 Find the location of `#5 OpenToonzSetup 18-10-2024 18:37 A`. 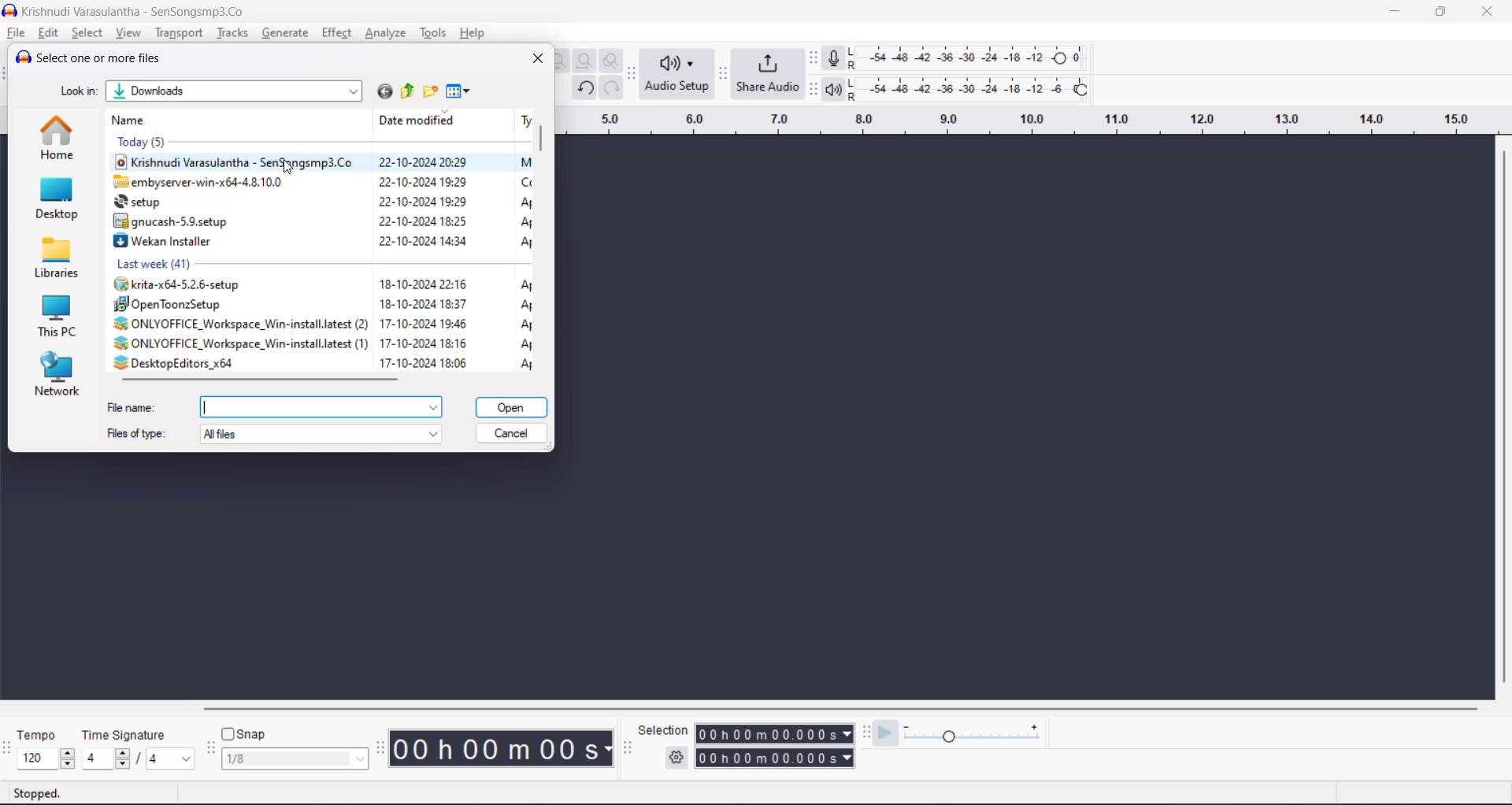

#5 OpenToonzSetup 18-10-2024 18:37 A is located at coordinates (322, 302).